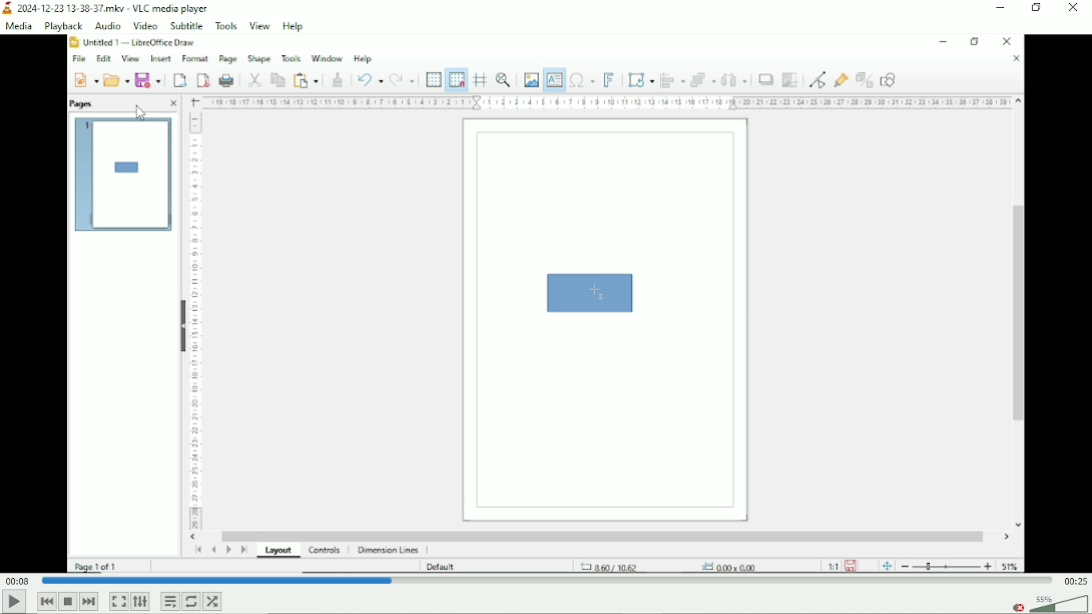 The image size is (1092, 614). Describe the element at coordinates (545, 581) in the screenshot. I see `Play duration` at that location.